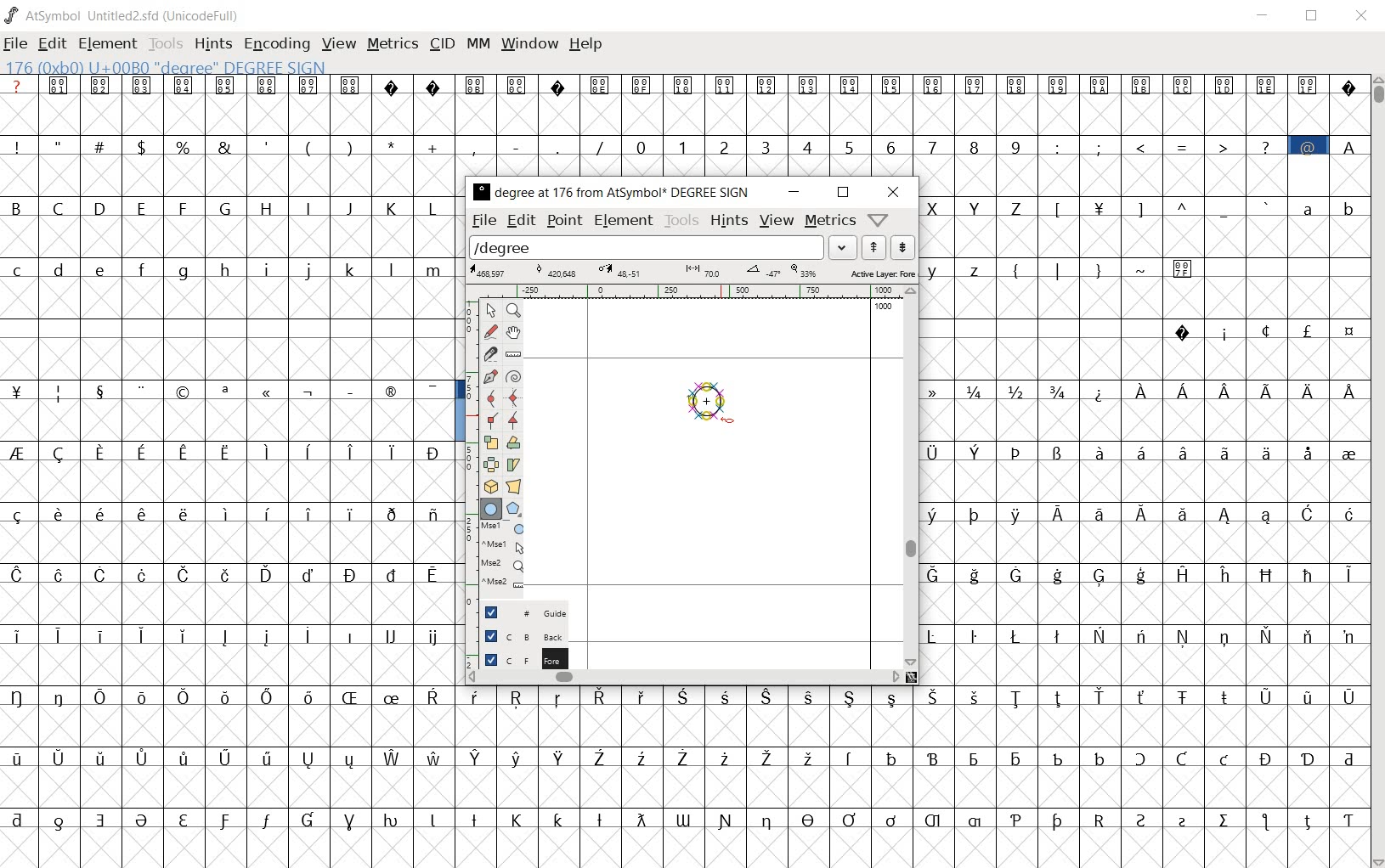  Describe the element at coordinates (230, 421) in the screenshot. I see `empty glyph slots` at that location.